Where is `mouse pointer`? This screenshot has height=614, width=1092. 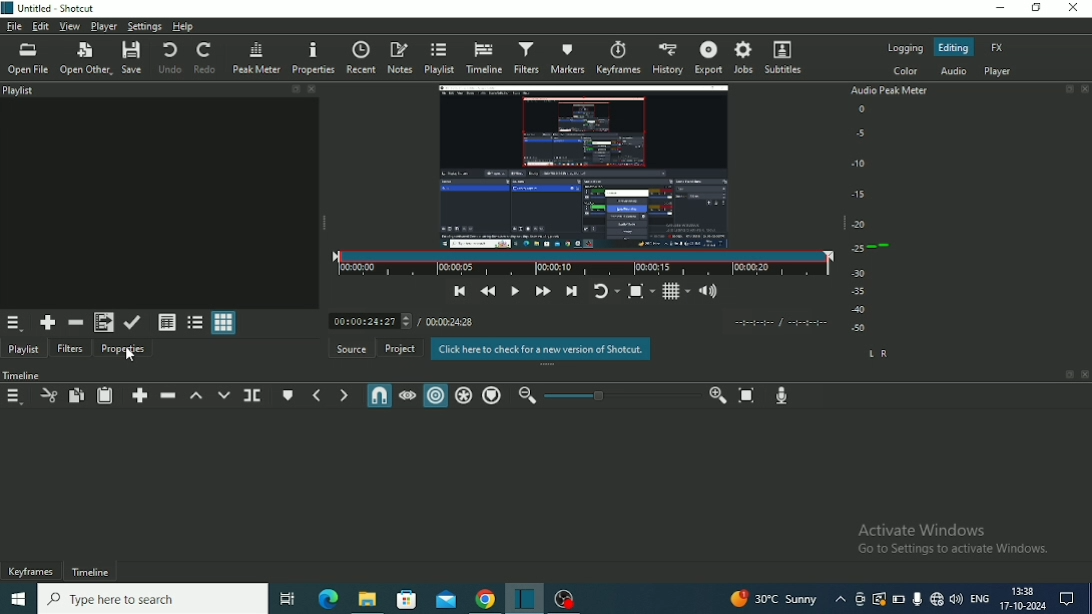 mouse pointer is located at coordinates (133, 354).